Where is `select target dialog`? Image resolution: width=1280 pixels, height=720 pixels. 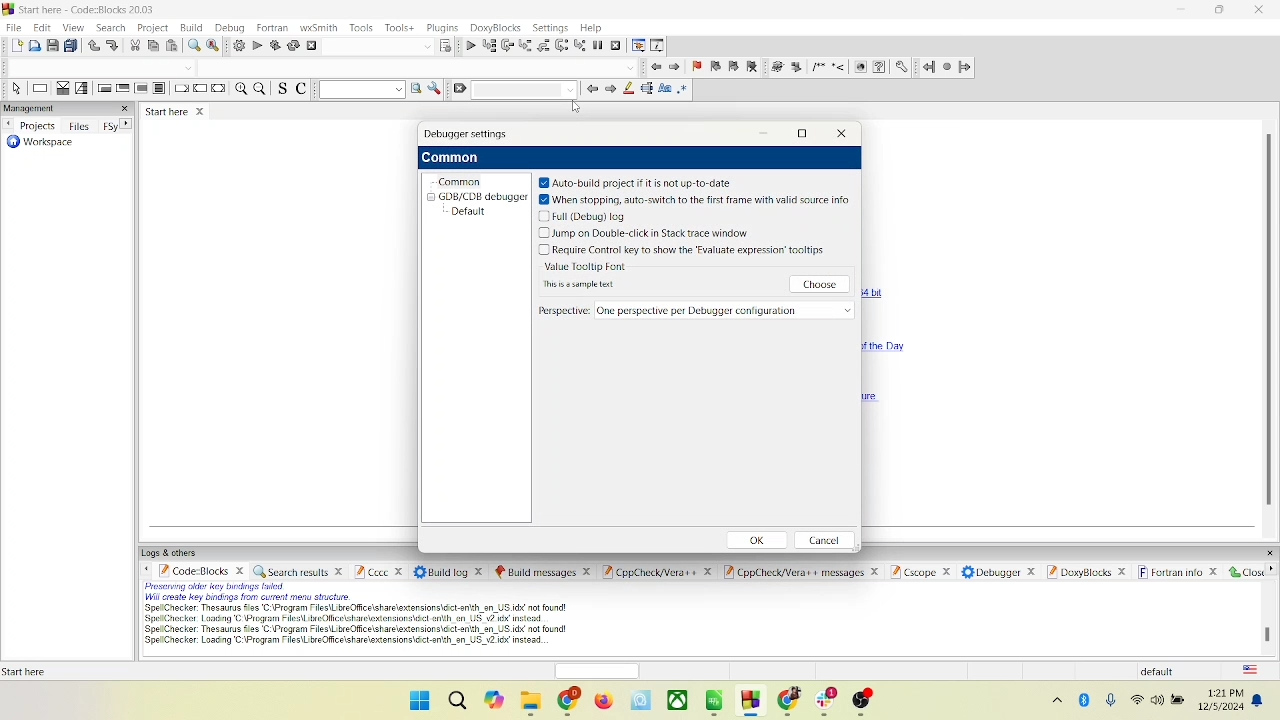
select target dialog is located at coordinates (447, 46).